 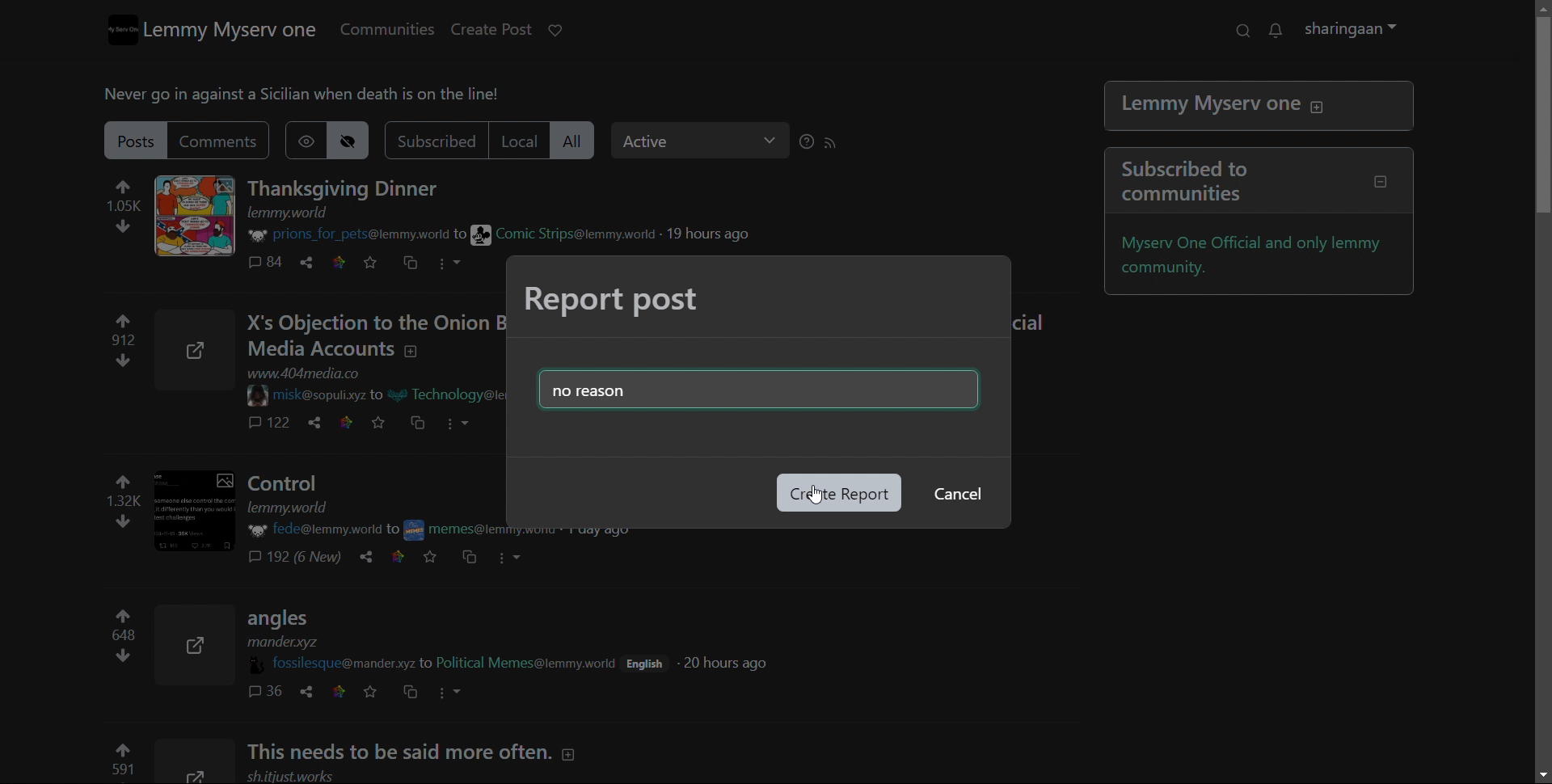 What do you see at coordinates (123, 641) in the screenshot?
I see `upvote and downvote` at bounding box center [123, 641].